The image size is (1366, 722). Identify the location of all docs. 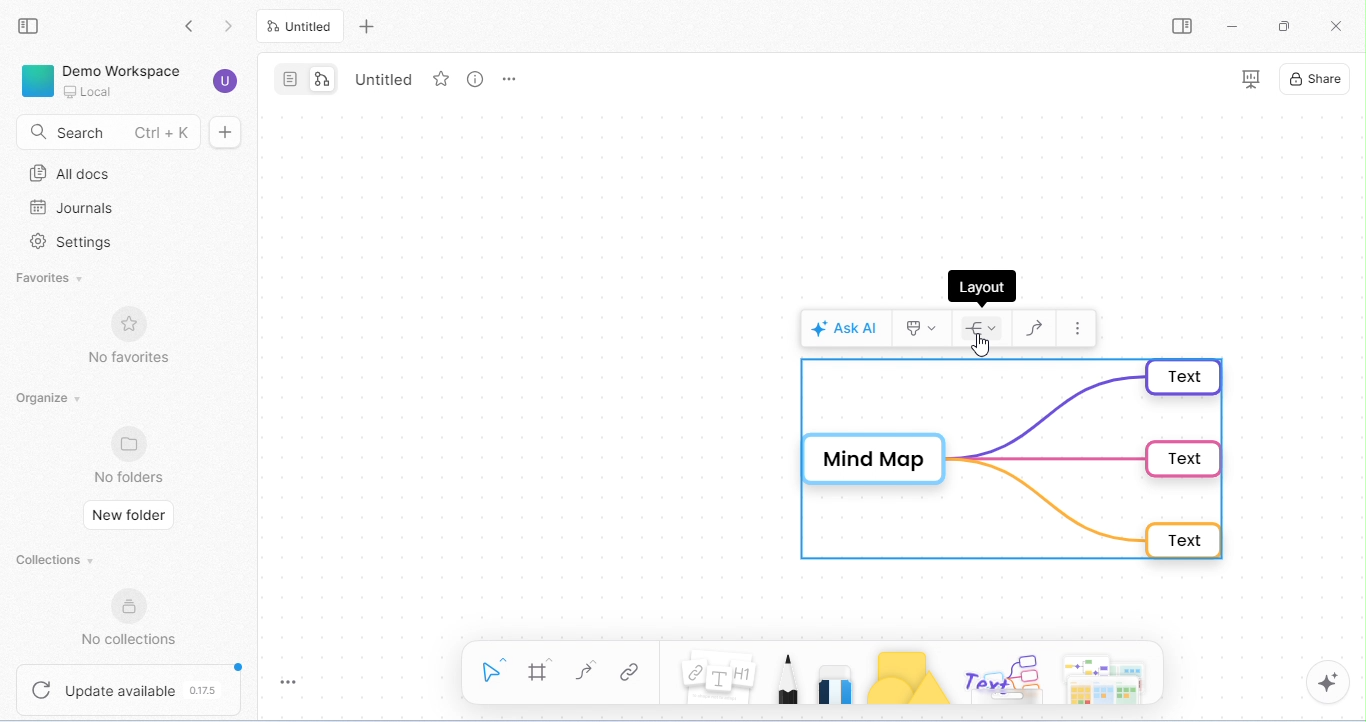
(77, 173).